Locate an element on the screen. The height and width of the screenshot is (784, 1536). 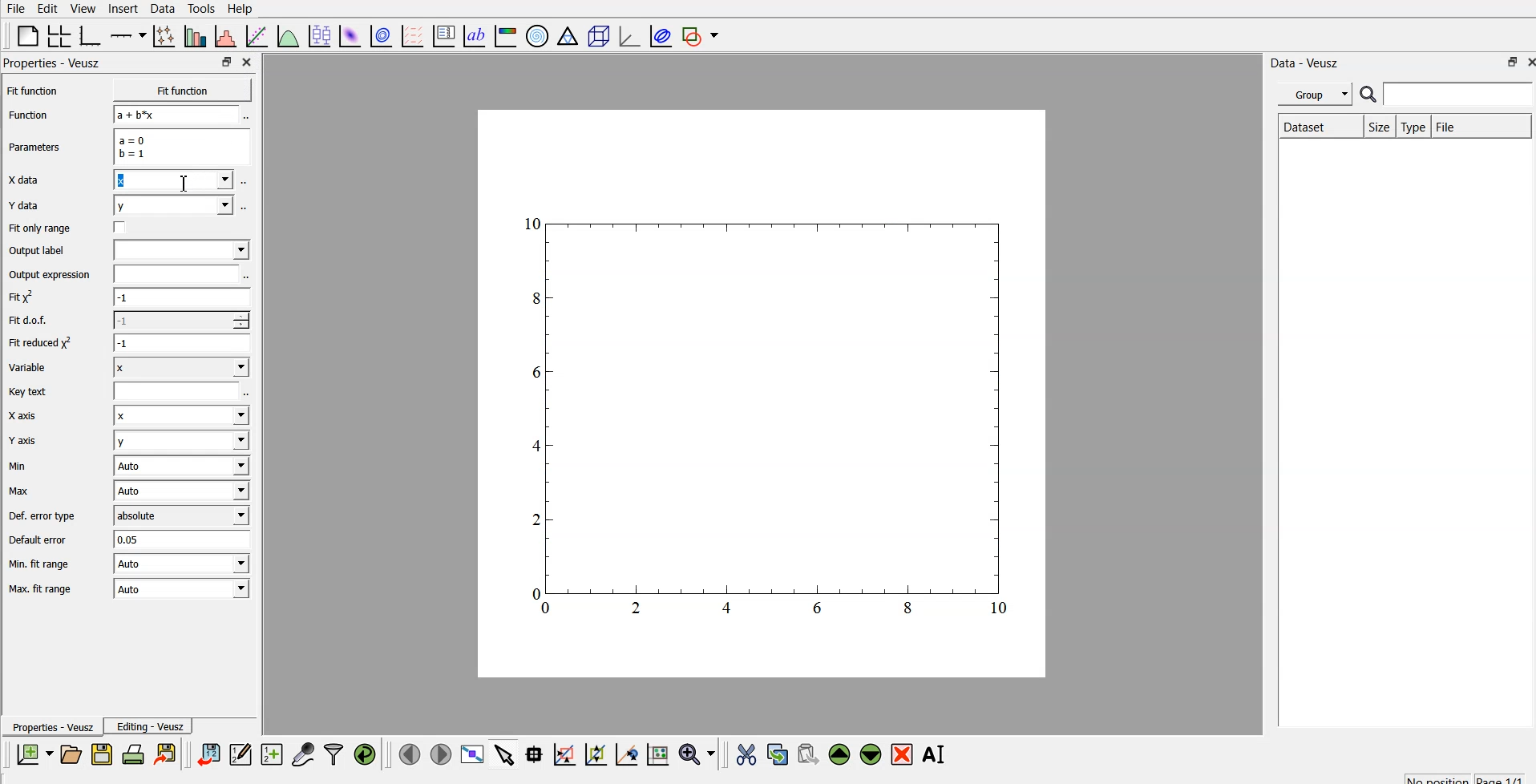
new document is located at coordinates (27, 755).